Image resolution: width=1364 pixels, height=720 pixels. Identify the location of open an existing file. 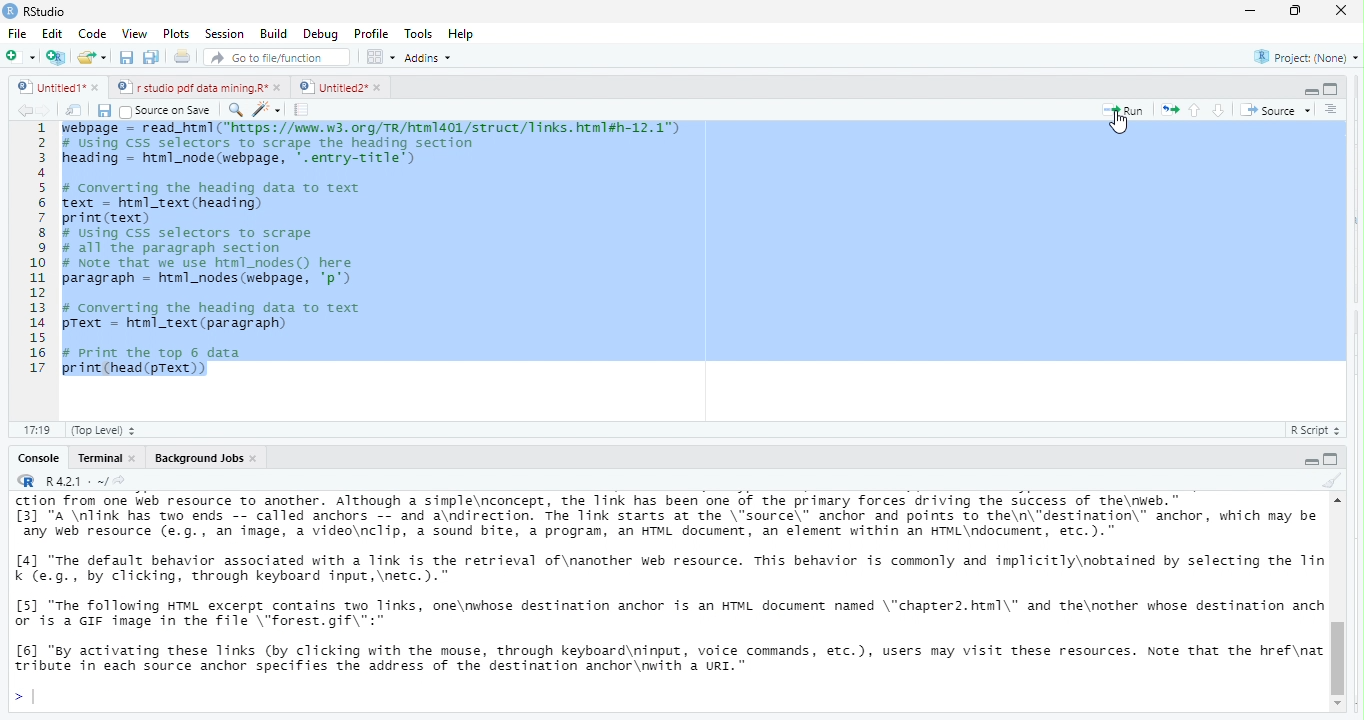
(93, 56).